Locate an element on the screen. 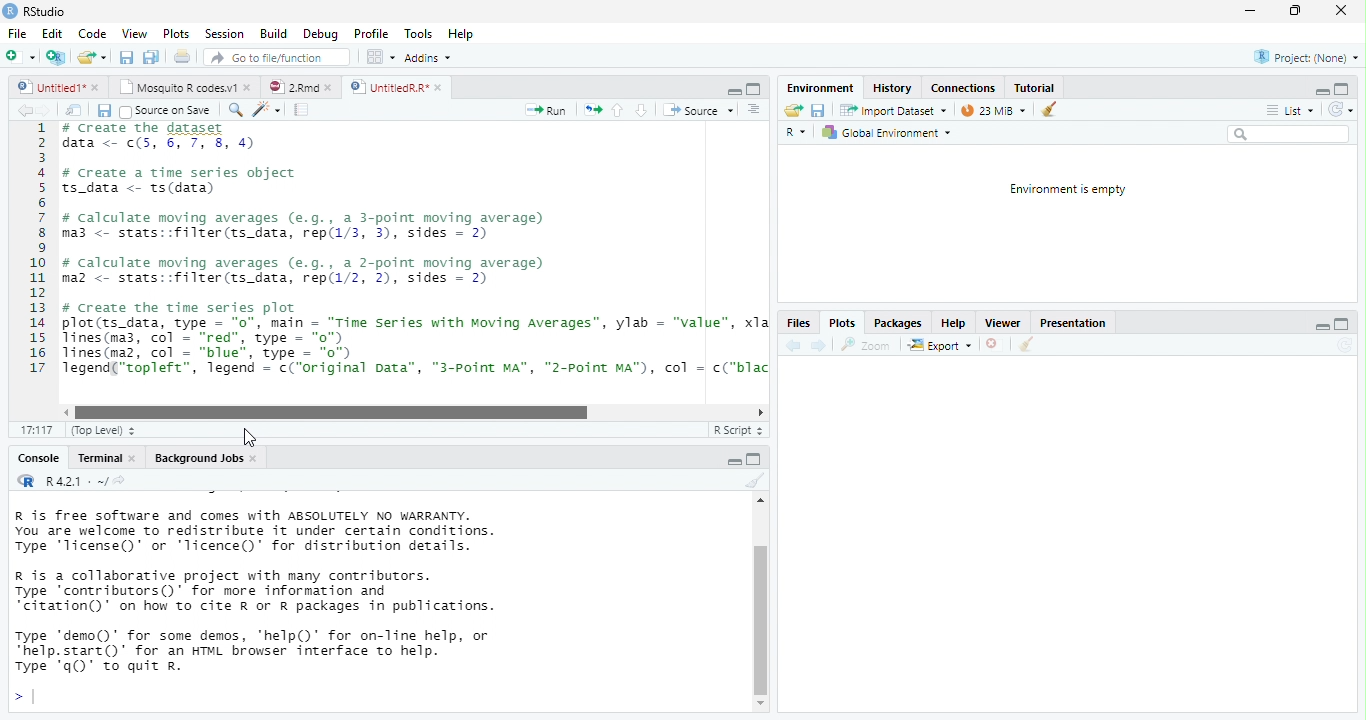 The width and height of the screenshot is (1366, 720). close is located at coordinates (1340, 11).